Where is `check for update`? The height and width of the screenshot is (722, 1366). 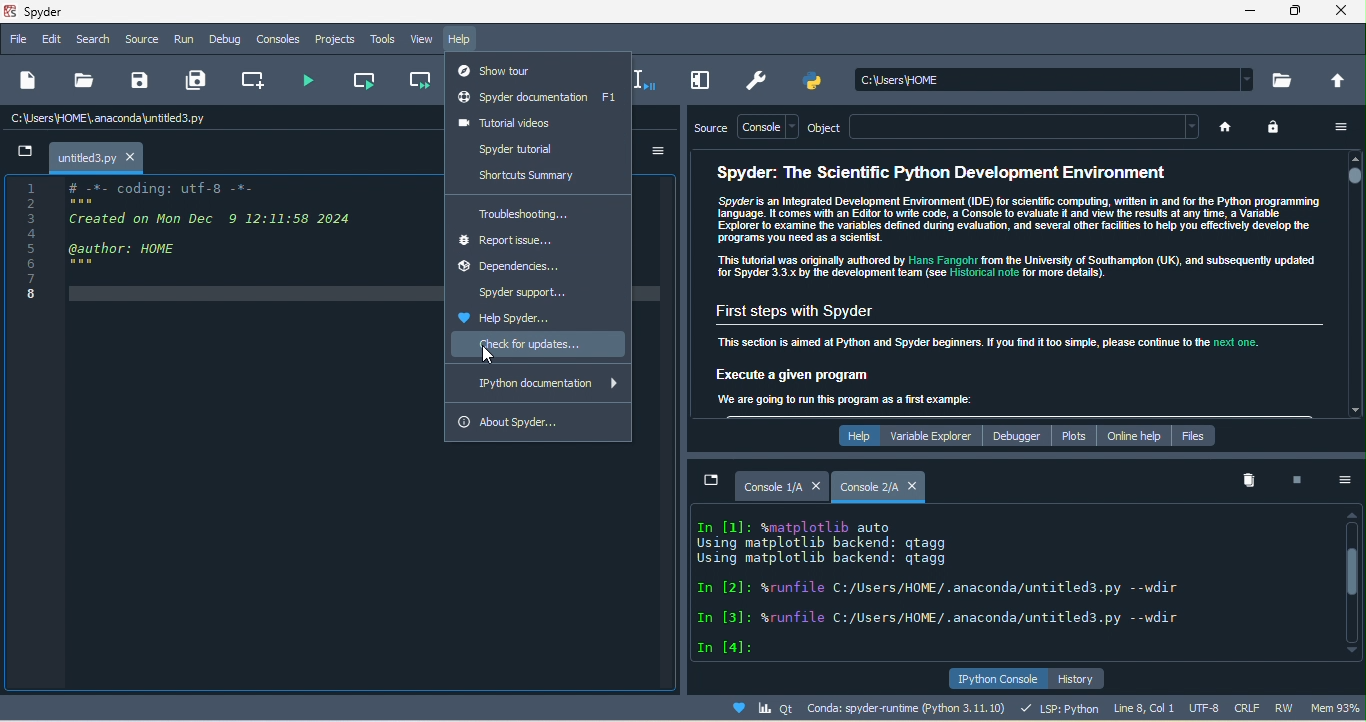 check for update is located at coordinates (541, 347).